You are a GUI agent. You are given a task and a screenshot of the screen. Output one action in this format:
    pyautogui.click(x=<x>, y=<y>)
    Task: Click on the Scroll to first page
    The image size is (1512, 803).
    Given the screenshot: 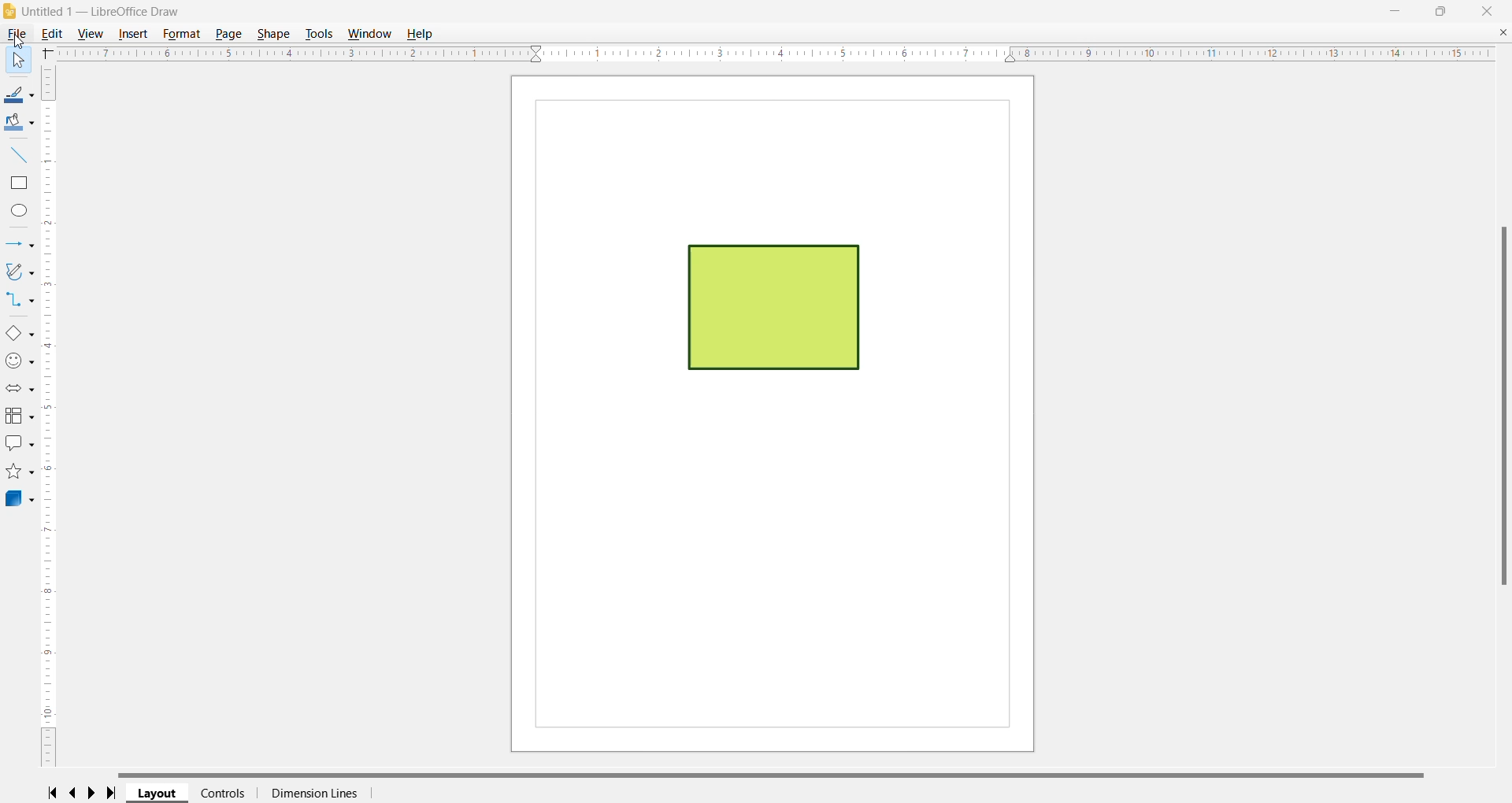 What is the action you would take?
    pyautogui.click(x=51, y=792)
    